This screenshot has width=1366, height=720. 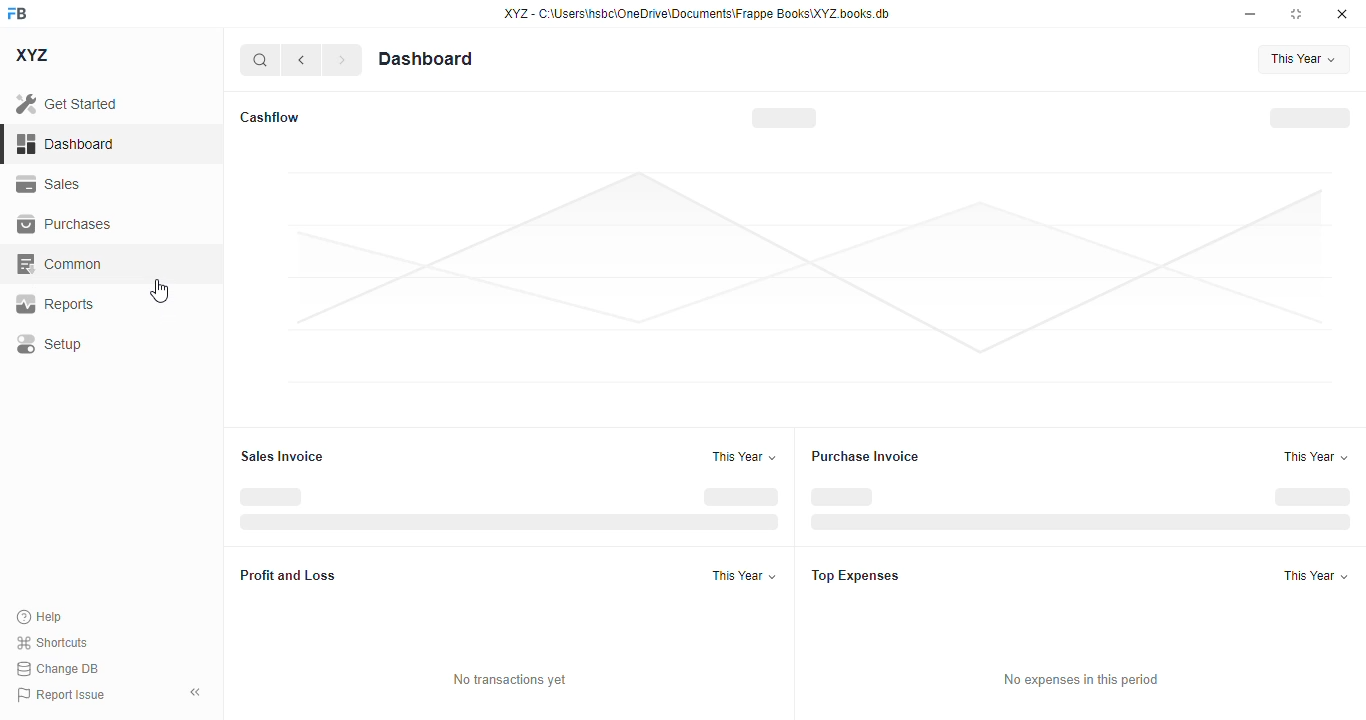 What do you see at coordinates (743, 575) in the screenshot?
I see `this year` at bounding box center [743, 575].